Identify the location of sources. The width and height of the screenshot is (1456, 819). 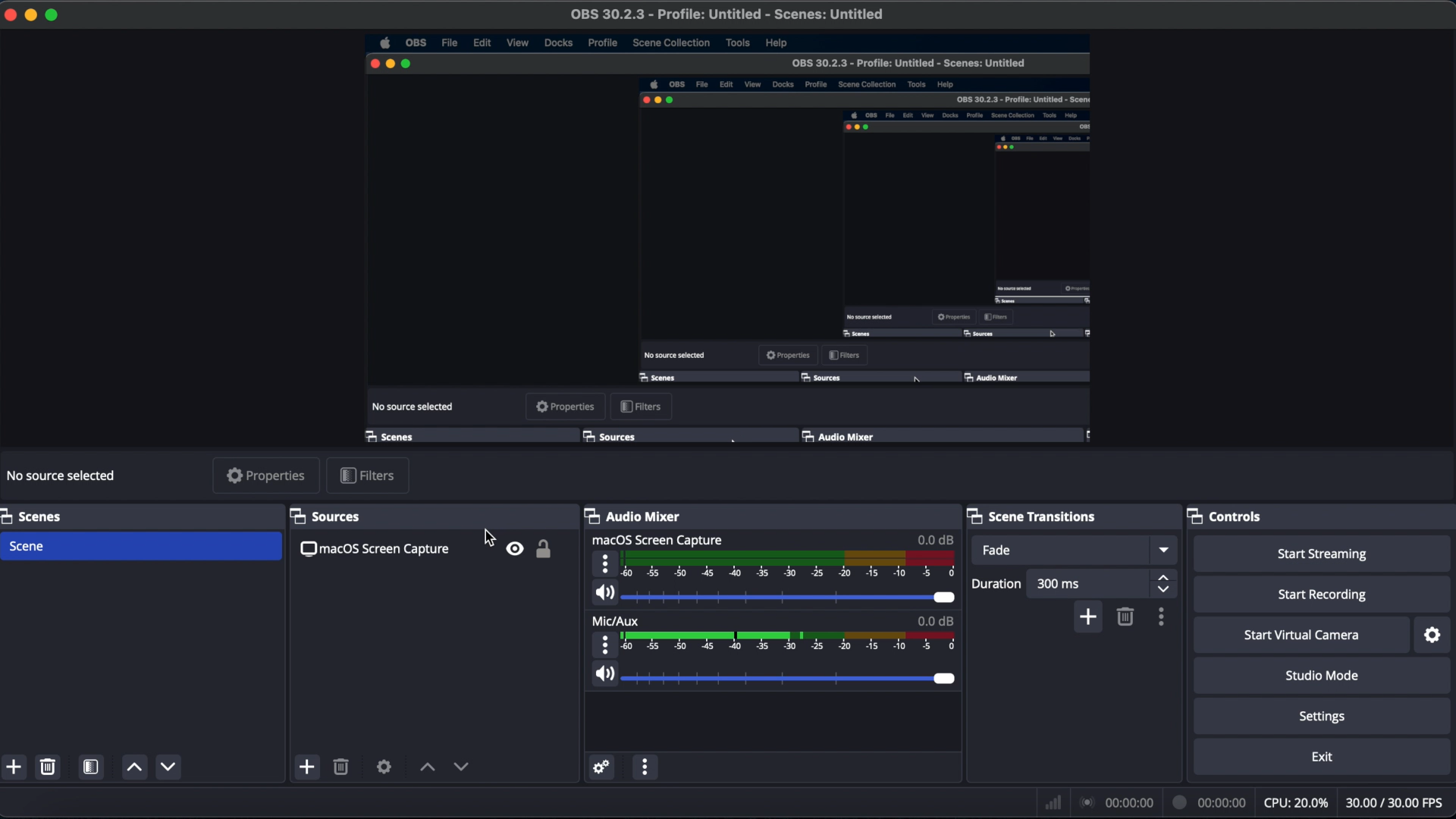
(322, 516).